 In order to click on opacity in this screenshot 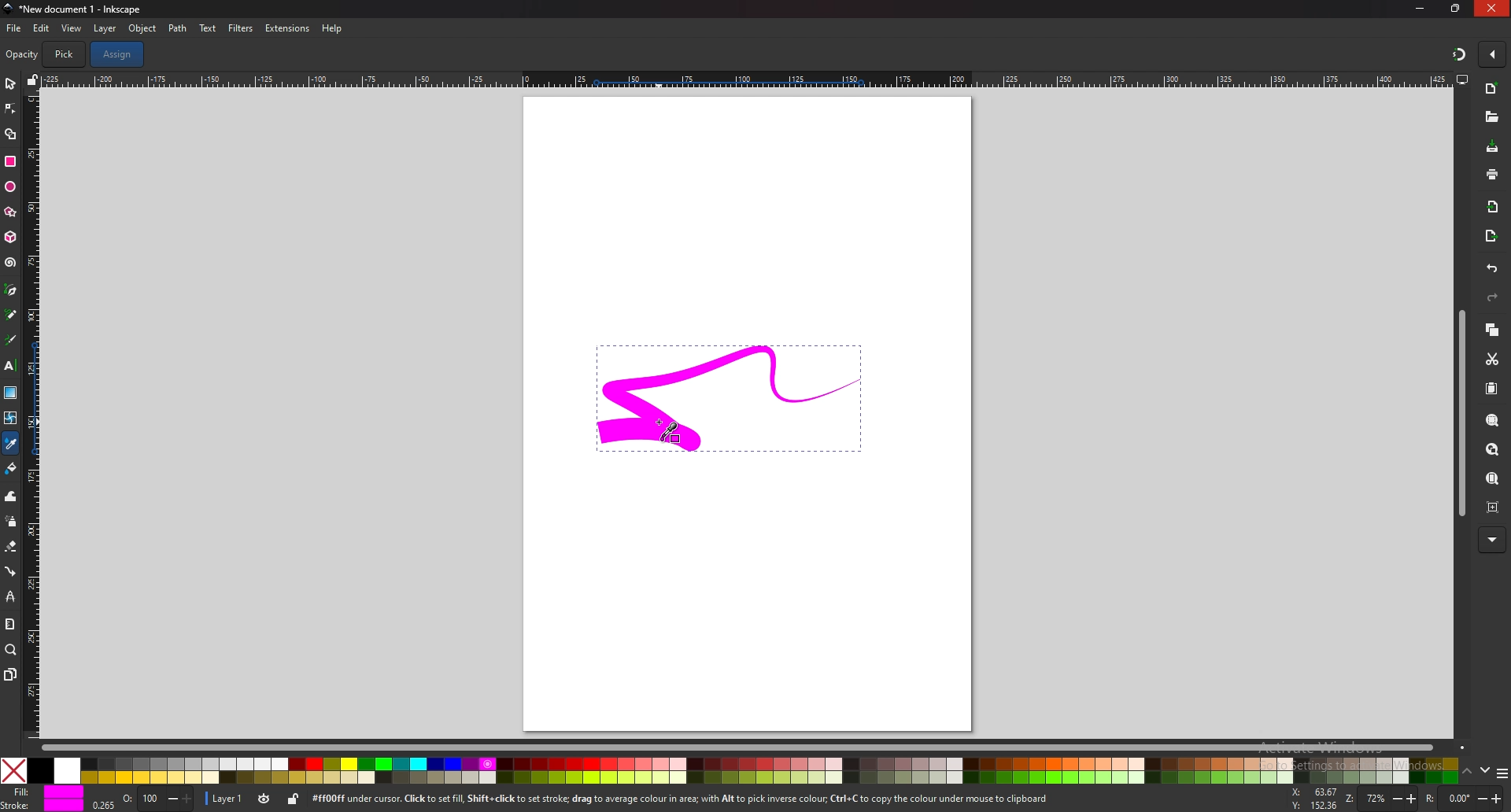, I will do `click(22, 55)`.